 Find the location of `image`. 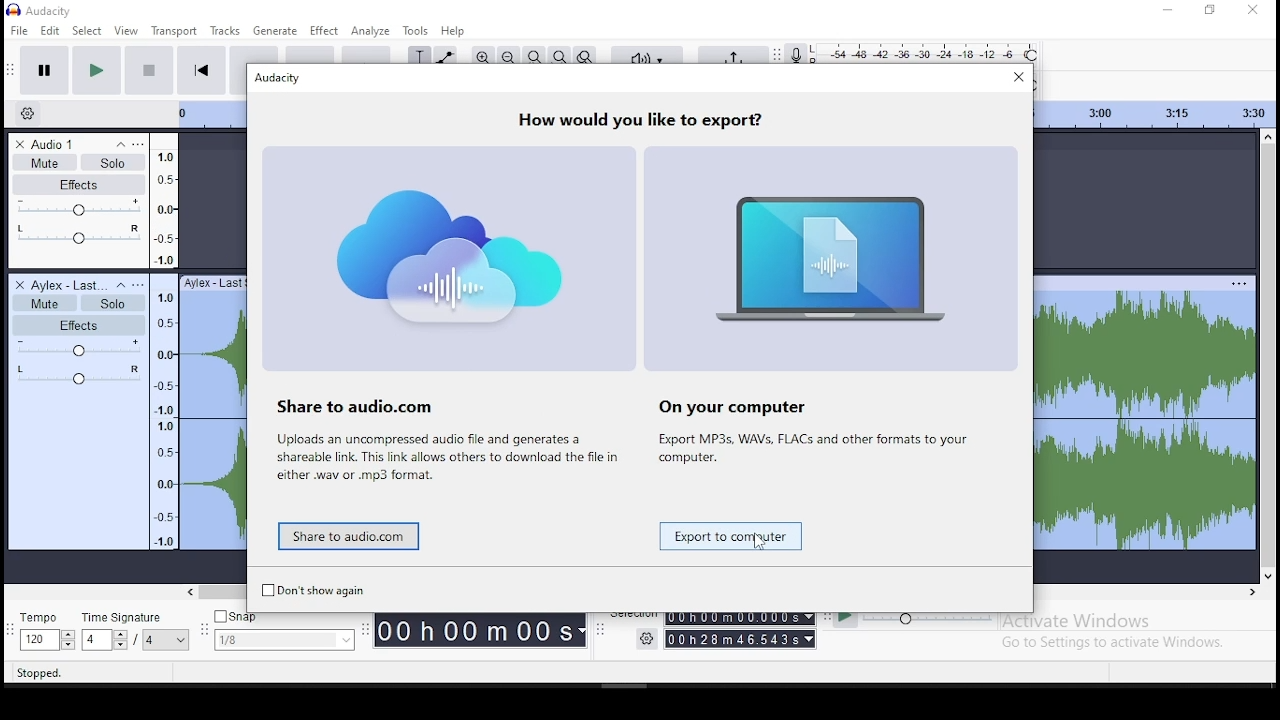

image is located at coordinates (446, 259).